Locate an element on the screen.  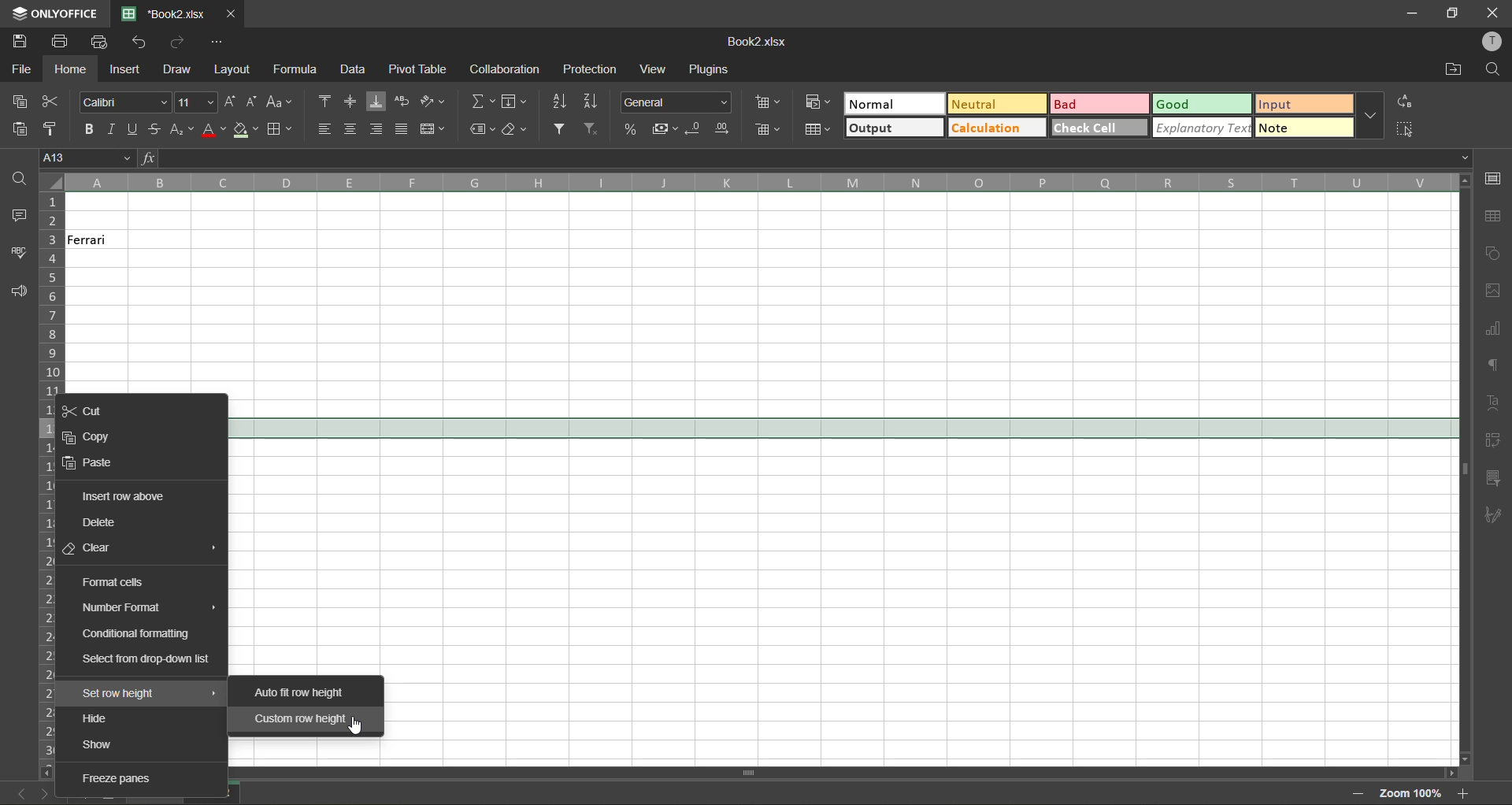
collaboration is located at coordinates (504, 68).